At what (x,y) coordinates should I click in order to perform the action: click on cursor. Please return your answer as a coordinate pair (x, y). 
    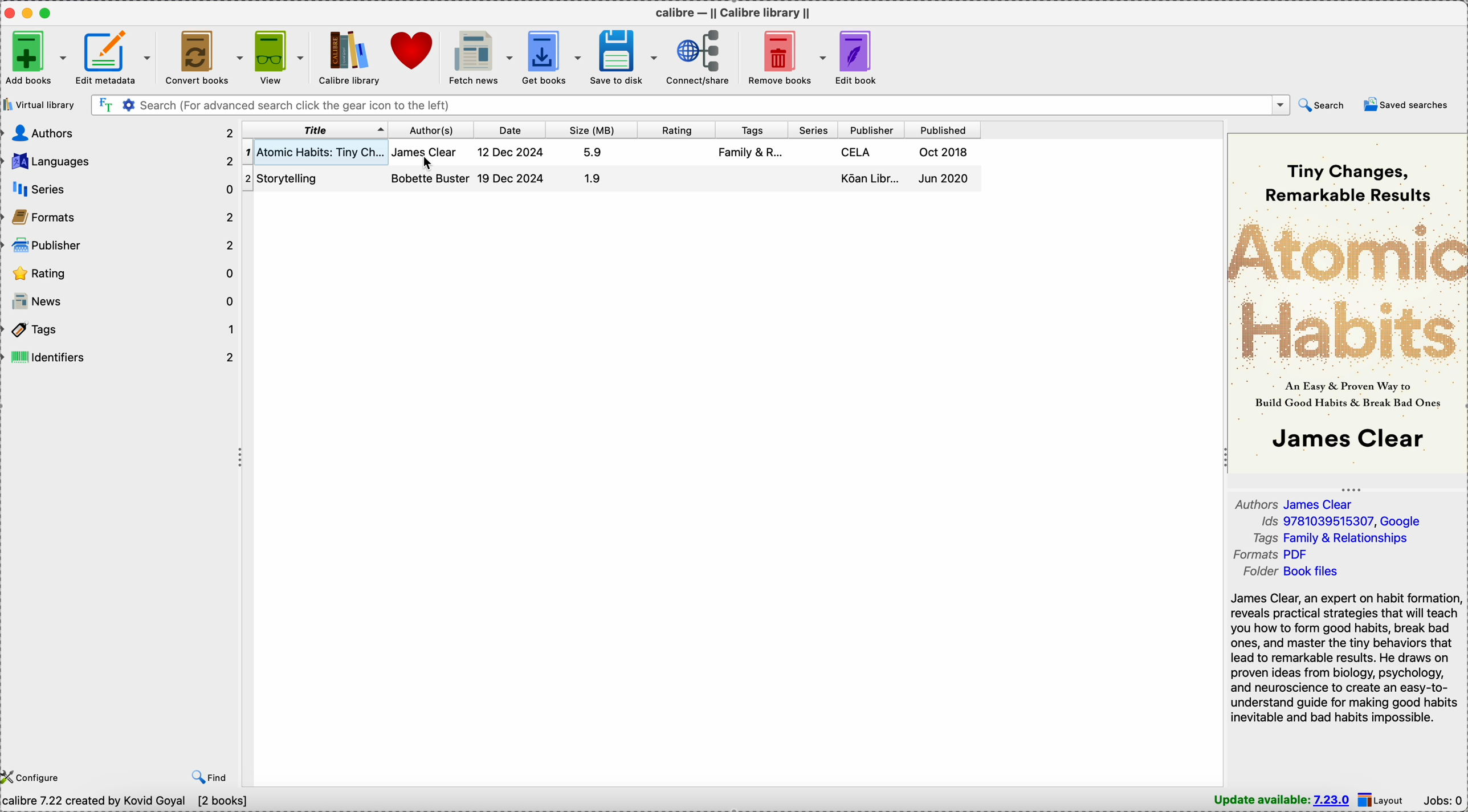
    Looking at the image, I should click on (432, 165).